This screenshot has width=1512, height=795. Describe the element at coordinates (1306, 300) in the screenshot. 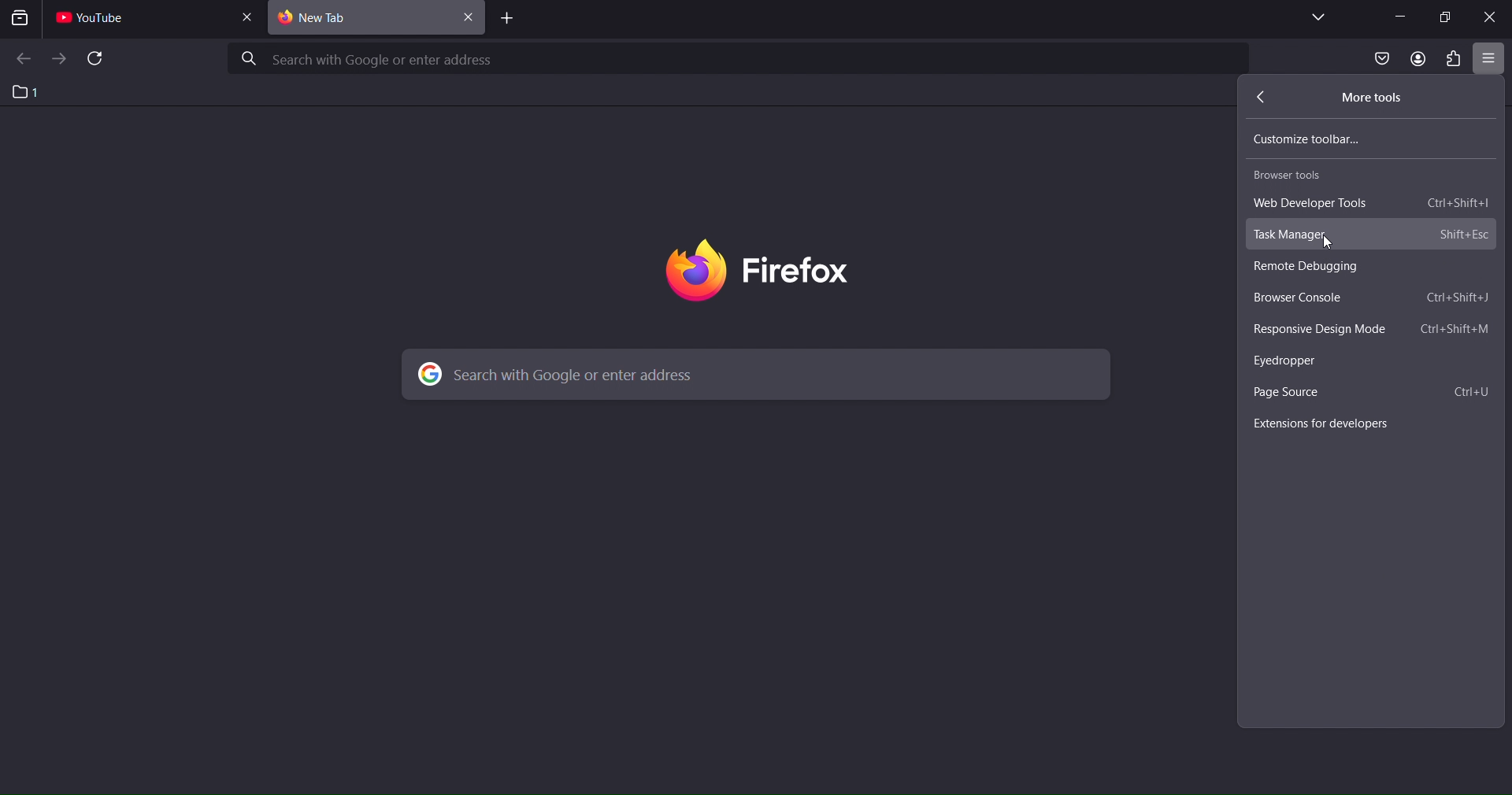

I see `browse controls` at that location.